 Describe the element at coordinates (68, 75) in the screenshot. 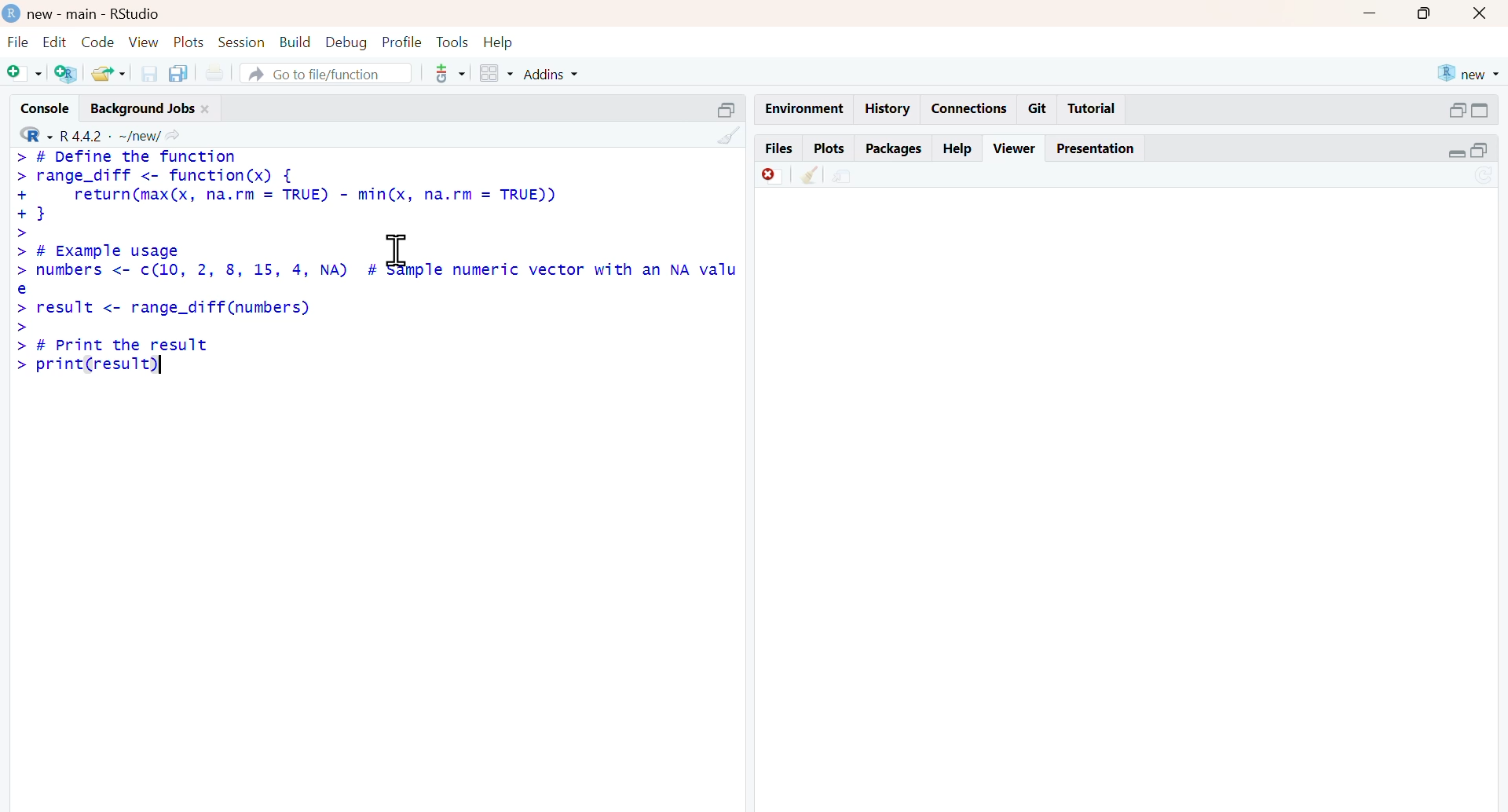

I see `add R file` at that location.